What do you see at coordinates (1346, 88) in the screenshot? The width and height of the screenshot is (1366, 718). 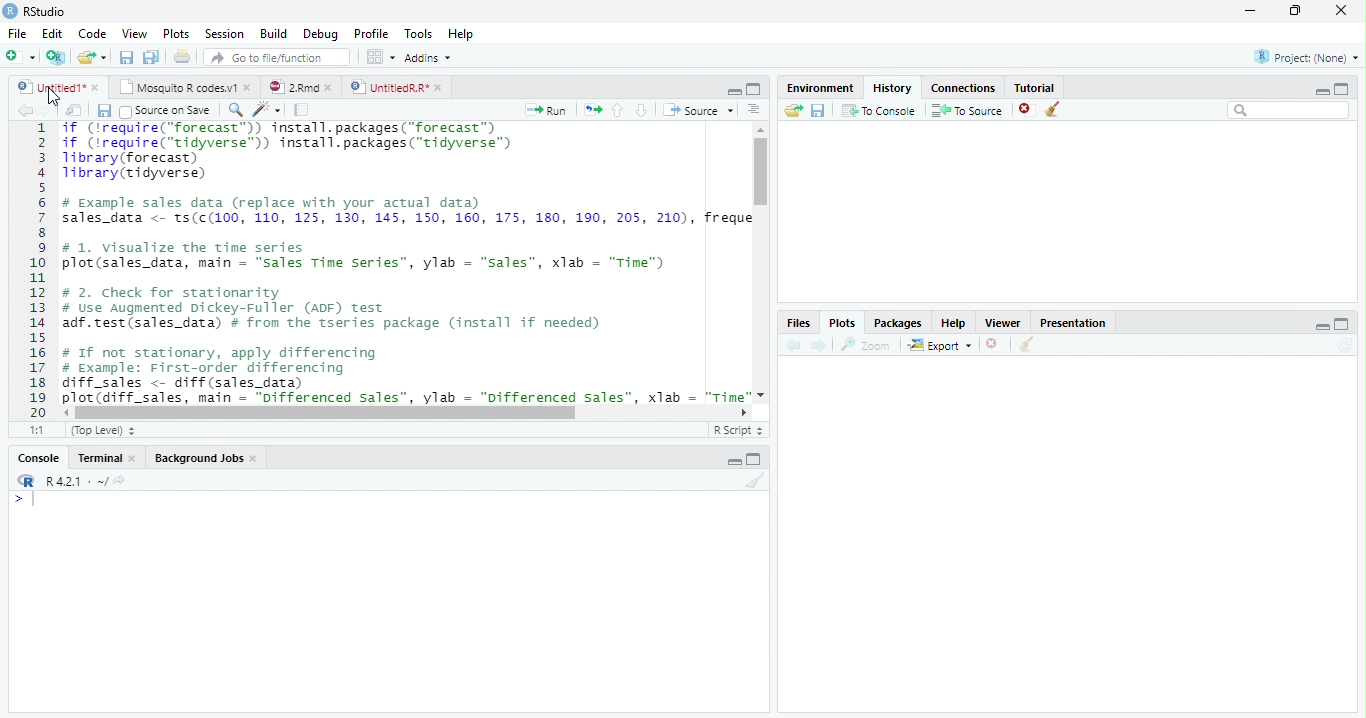 I see `Maximize` at bounding box center [1346, 88].